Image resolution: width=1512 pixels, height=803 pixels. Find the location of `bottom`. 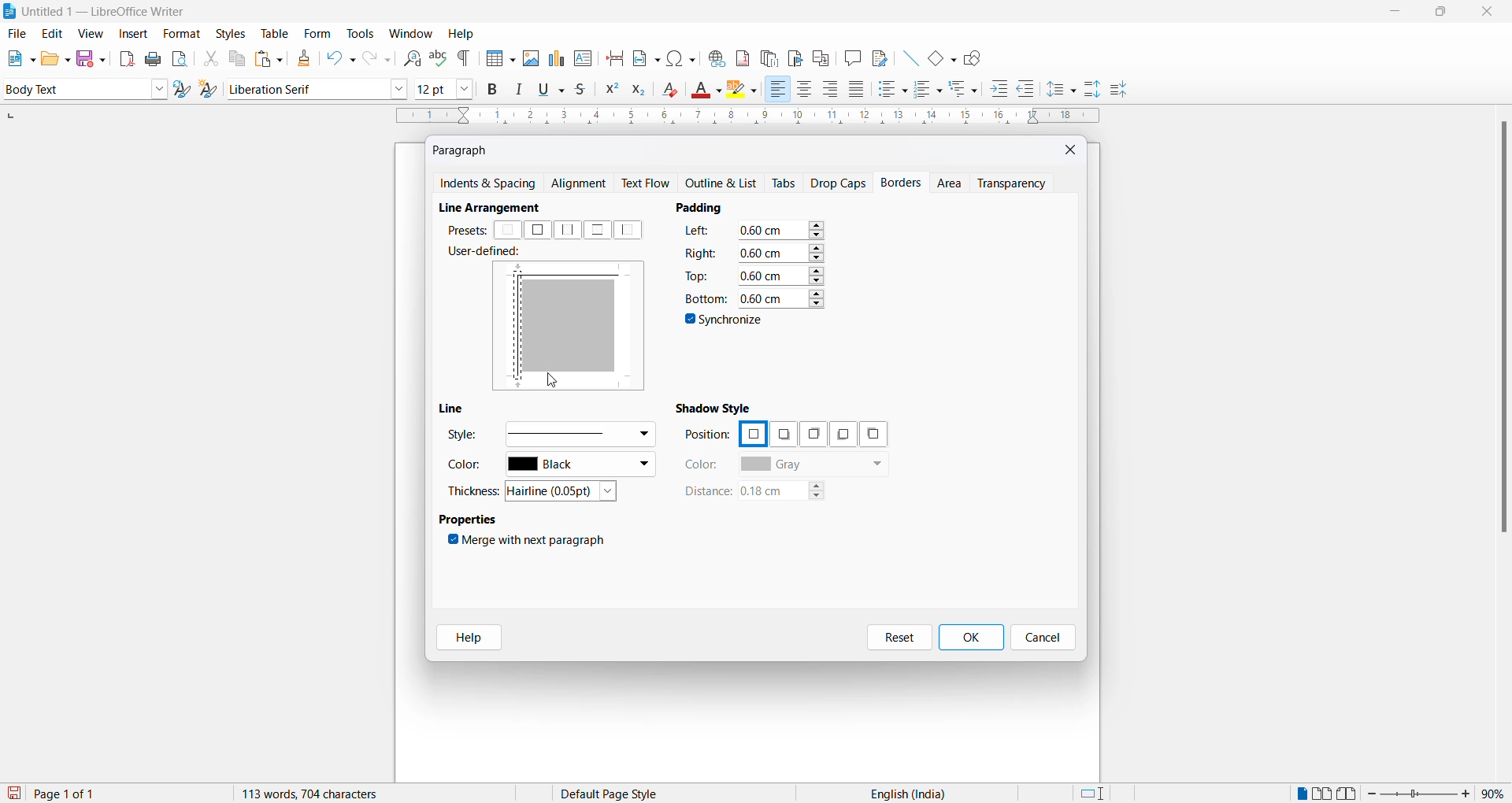

bottom is located at coordinates (704, 298).